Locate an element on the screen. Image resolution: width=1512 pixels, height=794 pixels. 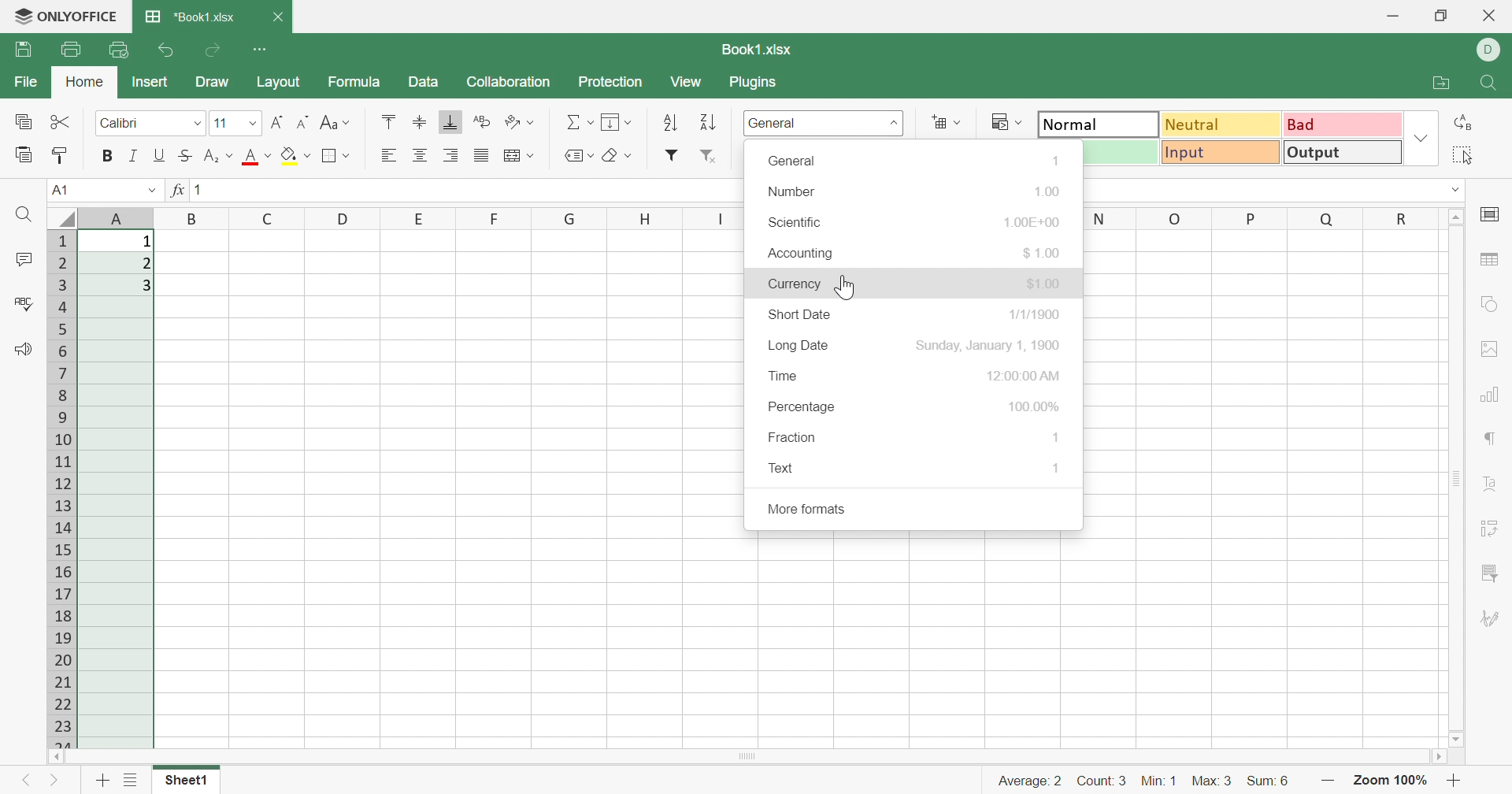
Chart settings is located at coordinates (1491, 397).